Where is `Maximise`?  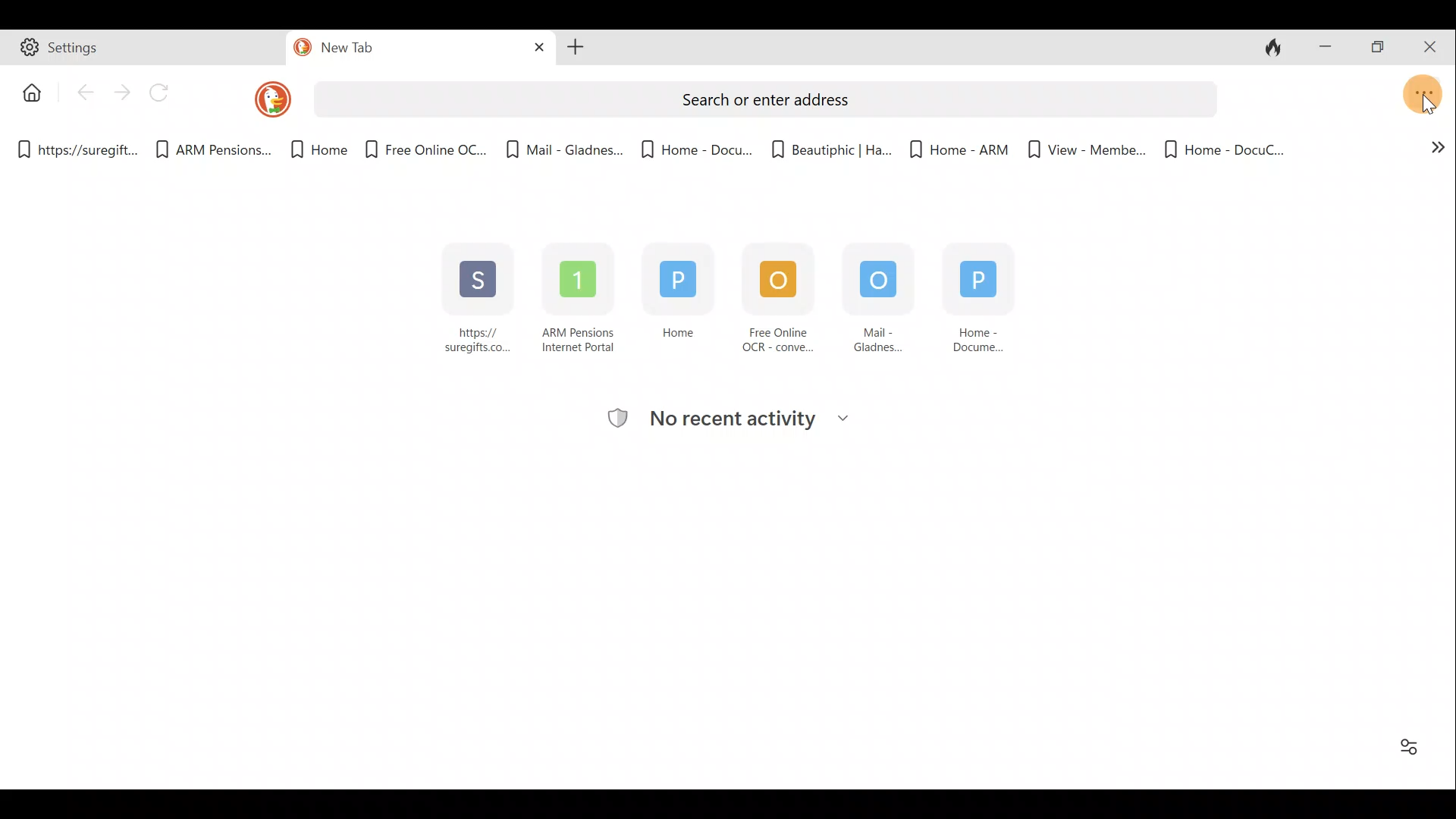 Maximise is located at coordinates (1376, 50).